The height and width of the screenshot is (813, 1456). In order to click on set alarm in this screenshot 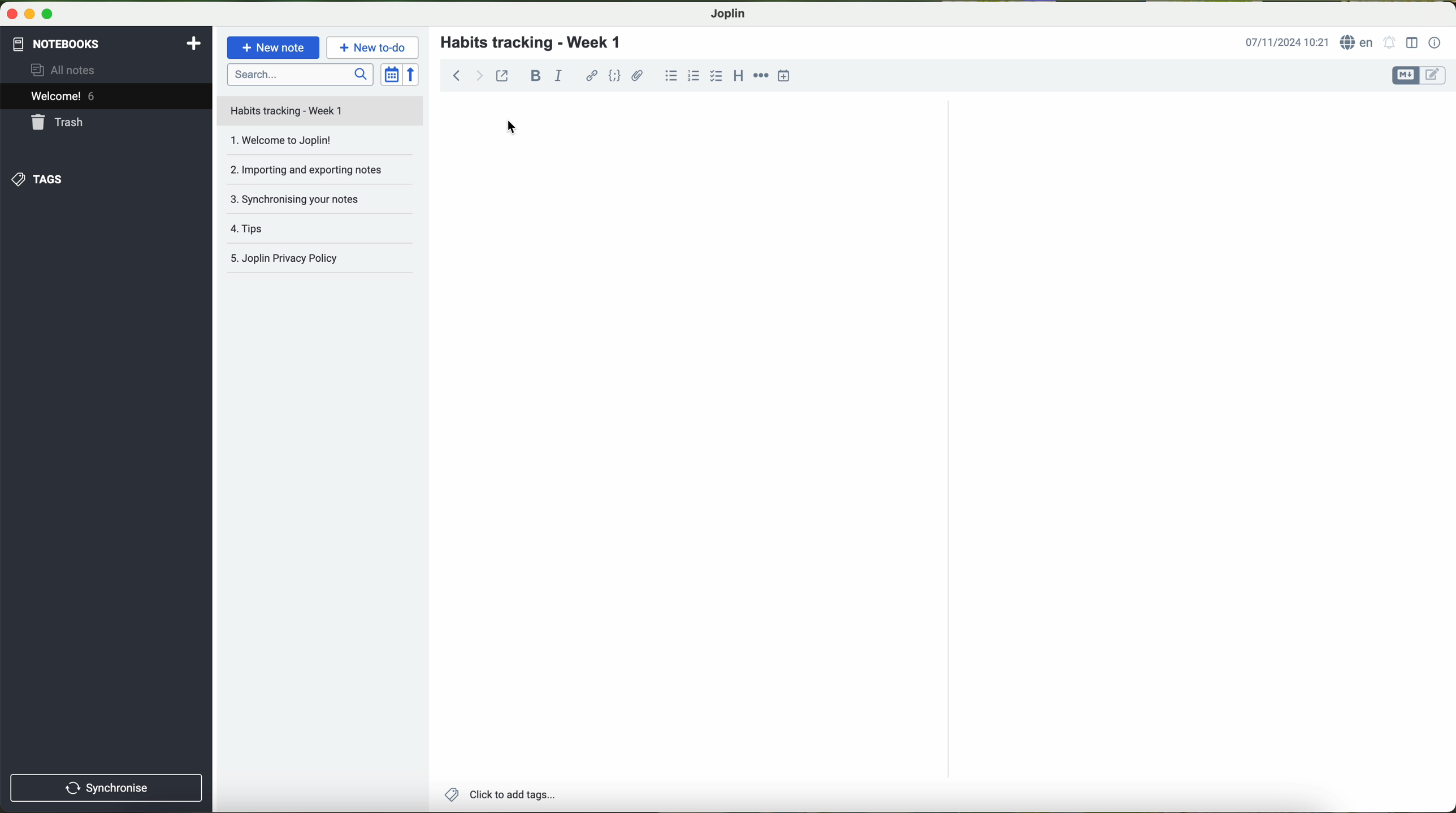, I will do `click(1390, 42)`.